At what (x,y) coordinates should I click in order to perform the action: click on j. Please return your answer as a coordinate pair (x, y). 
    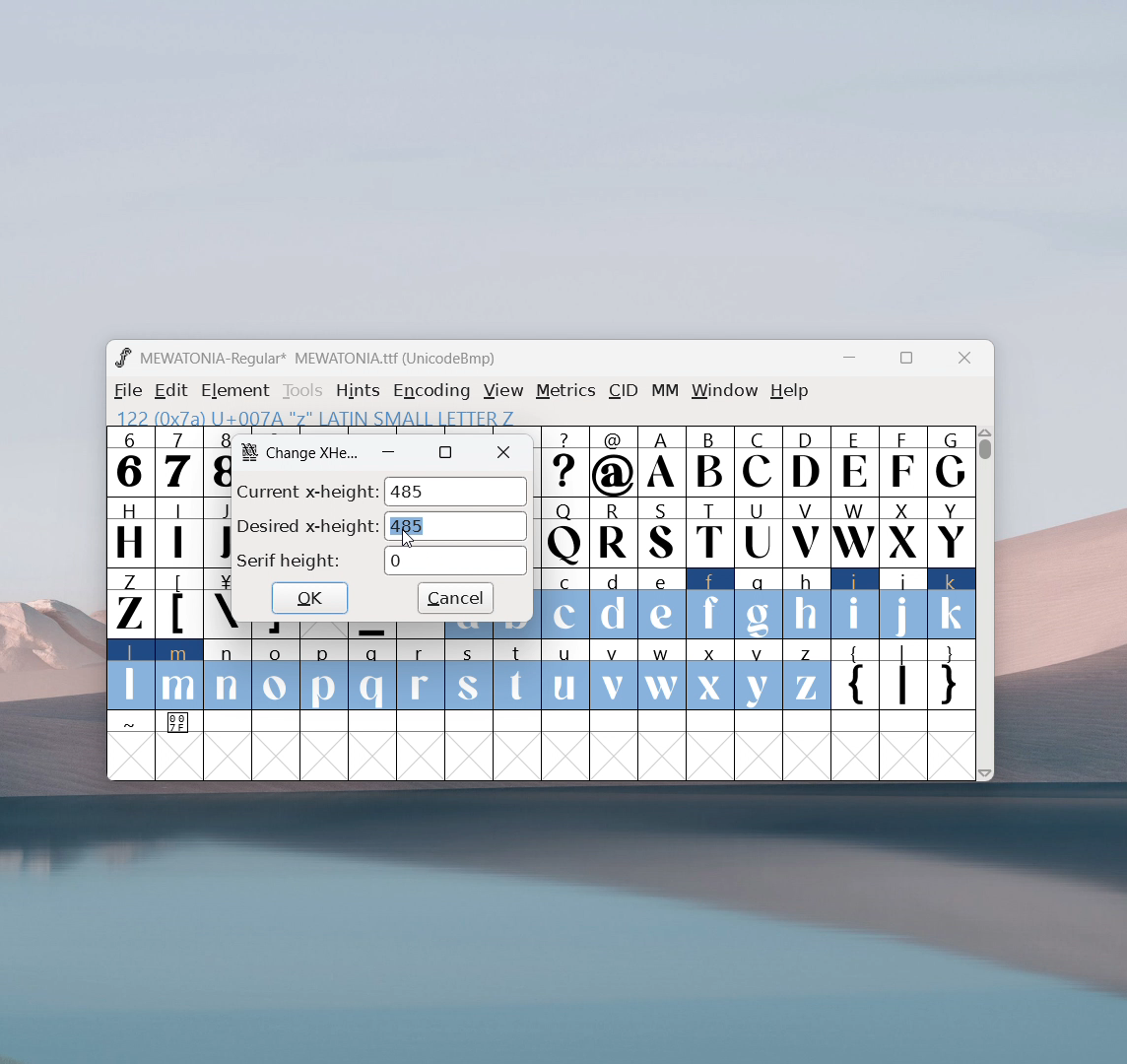
    Looking at the image, I should click on (904, 604).